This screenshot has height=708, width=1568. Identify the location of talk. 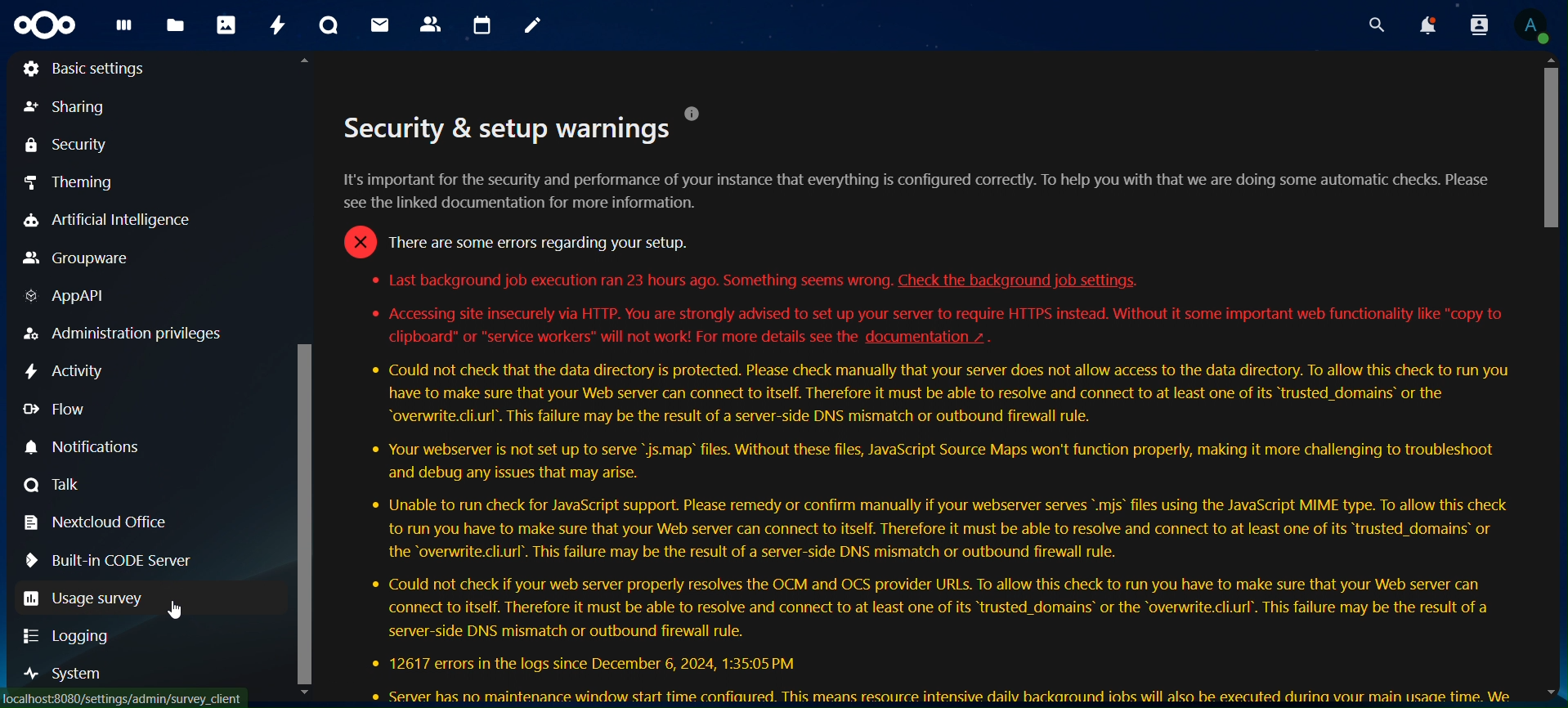
(62, 484).